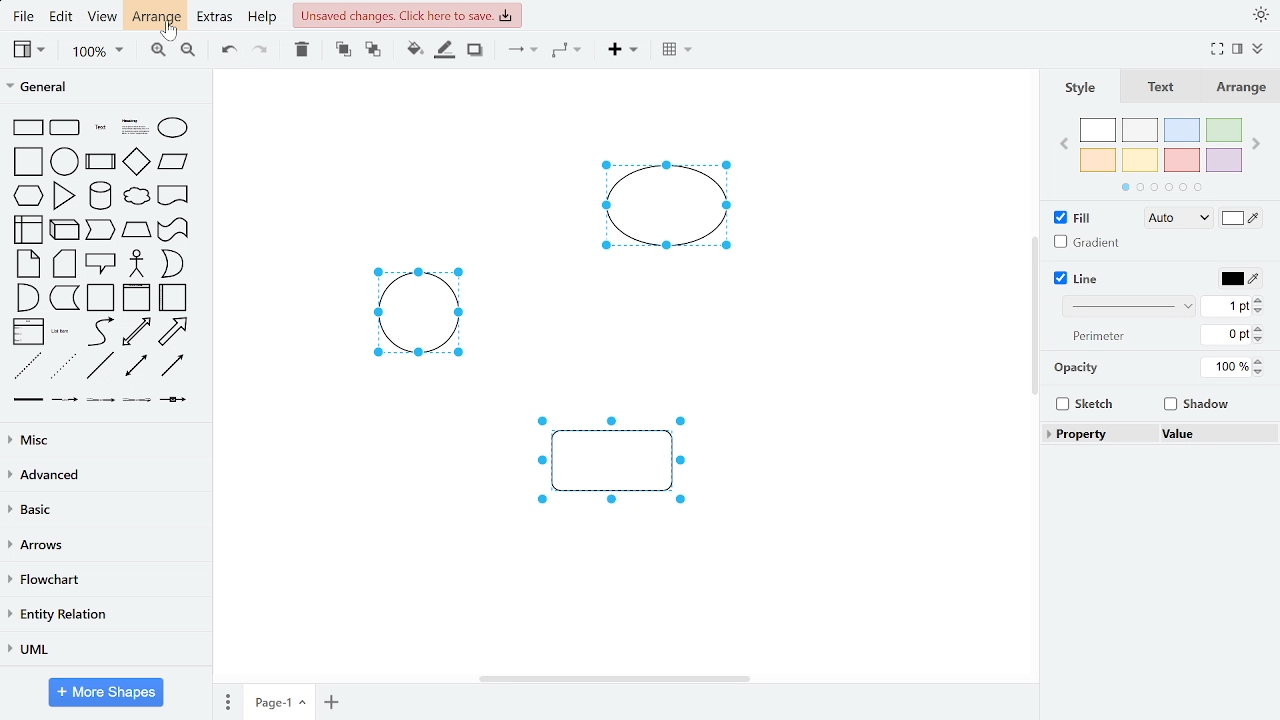 The width and height of the screenshot is (1280, 720). What do you see at coordinates (1073, 216) in the screenshot?
I see `Fill` at bounding box center [1073, 216].